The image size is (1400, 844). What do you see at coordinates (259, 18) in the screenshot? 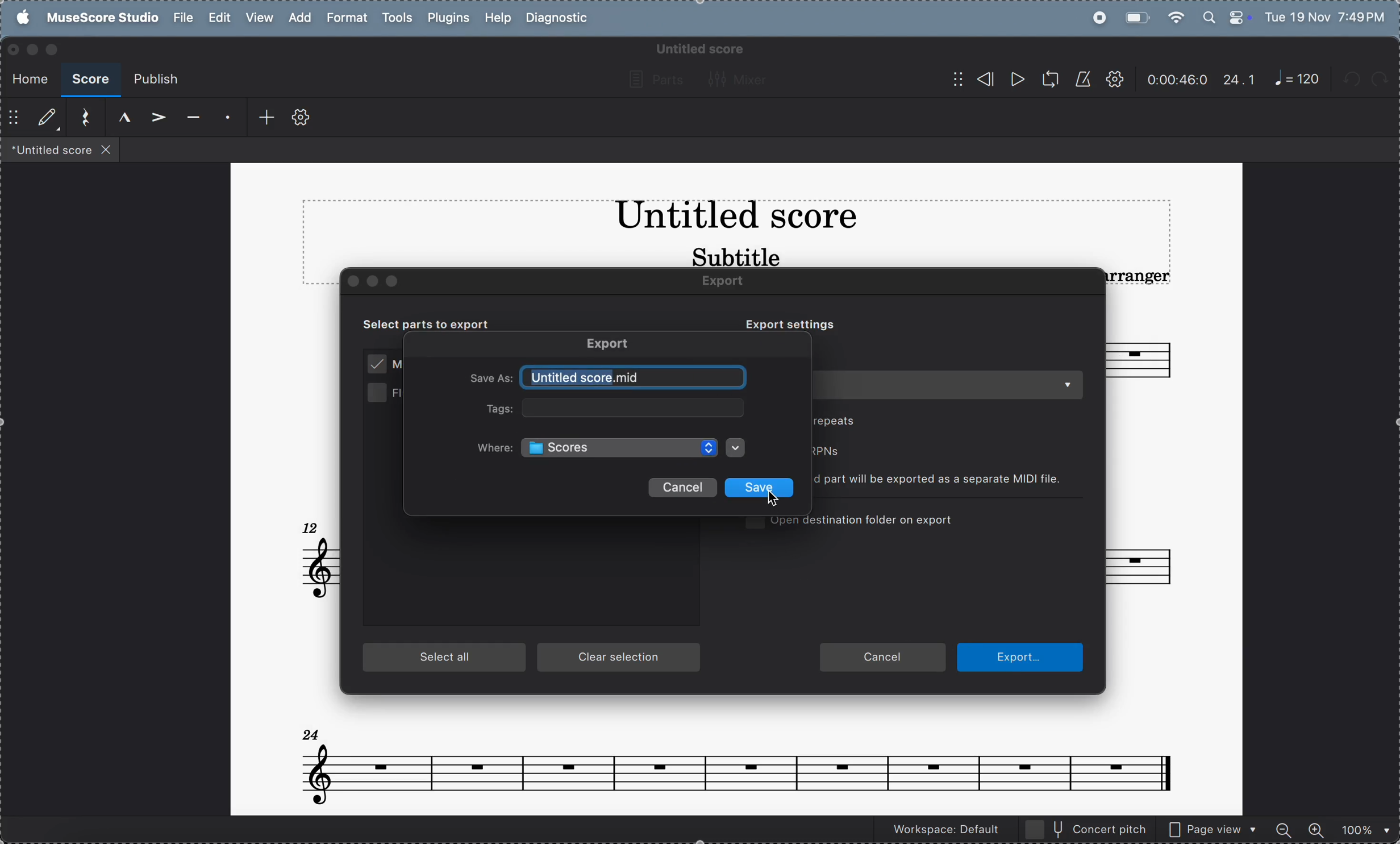
I see `view` at bounding box center [259, 18].